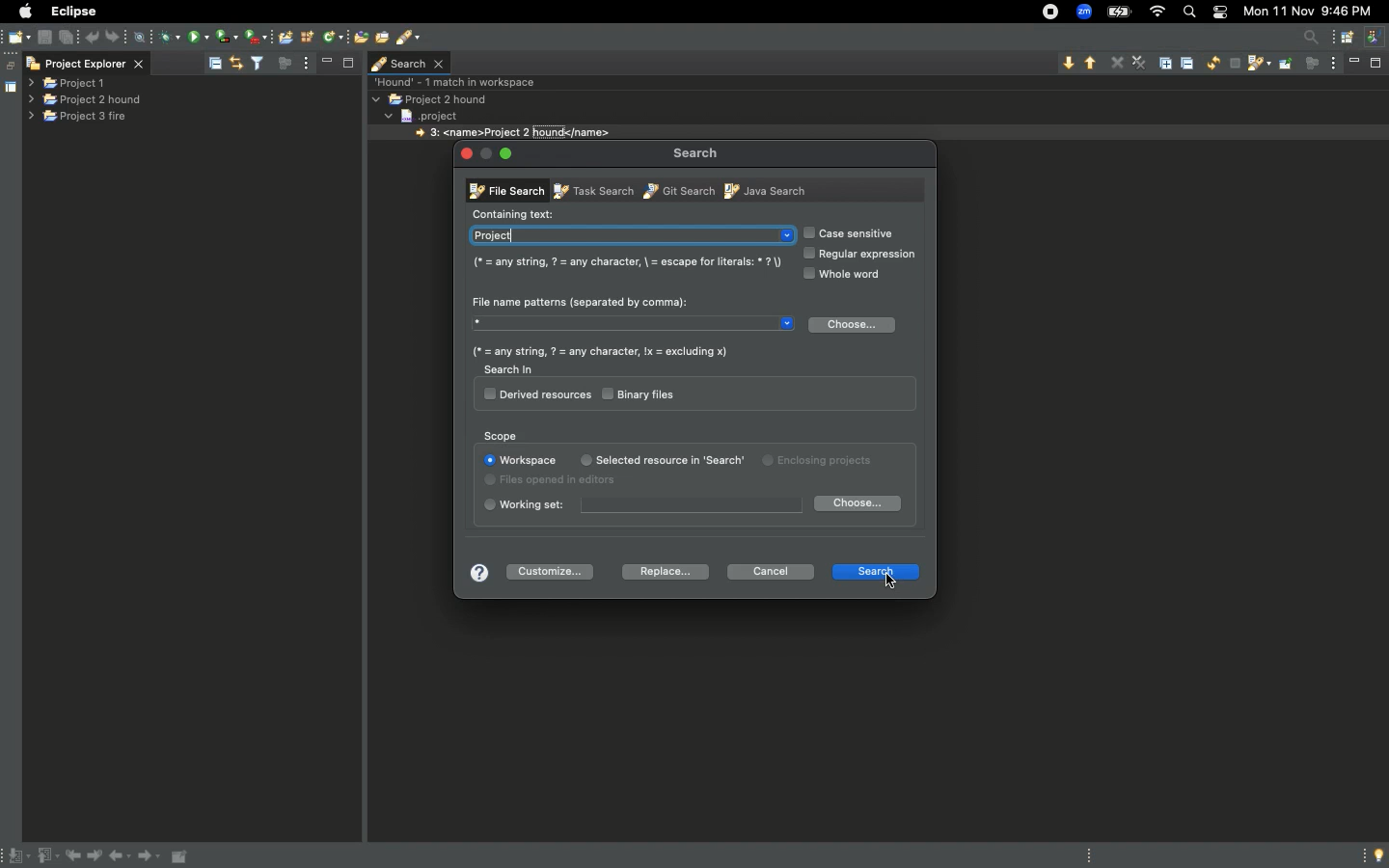 The height and width of the screenshot is (868, 1389). I want to click on Back, so click(122, 858).